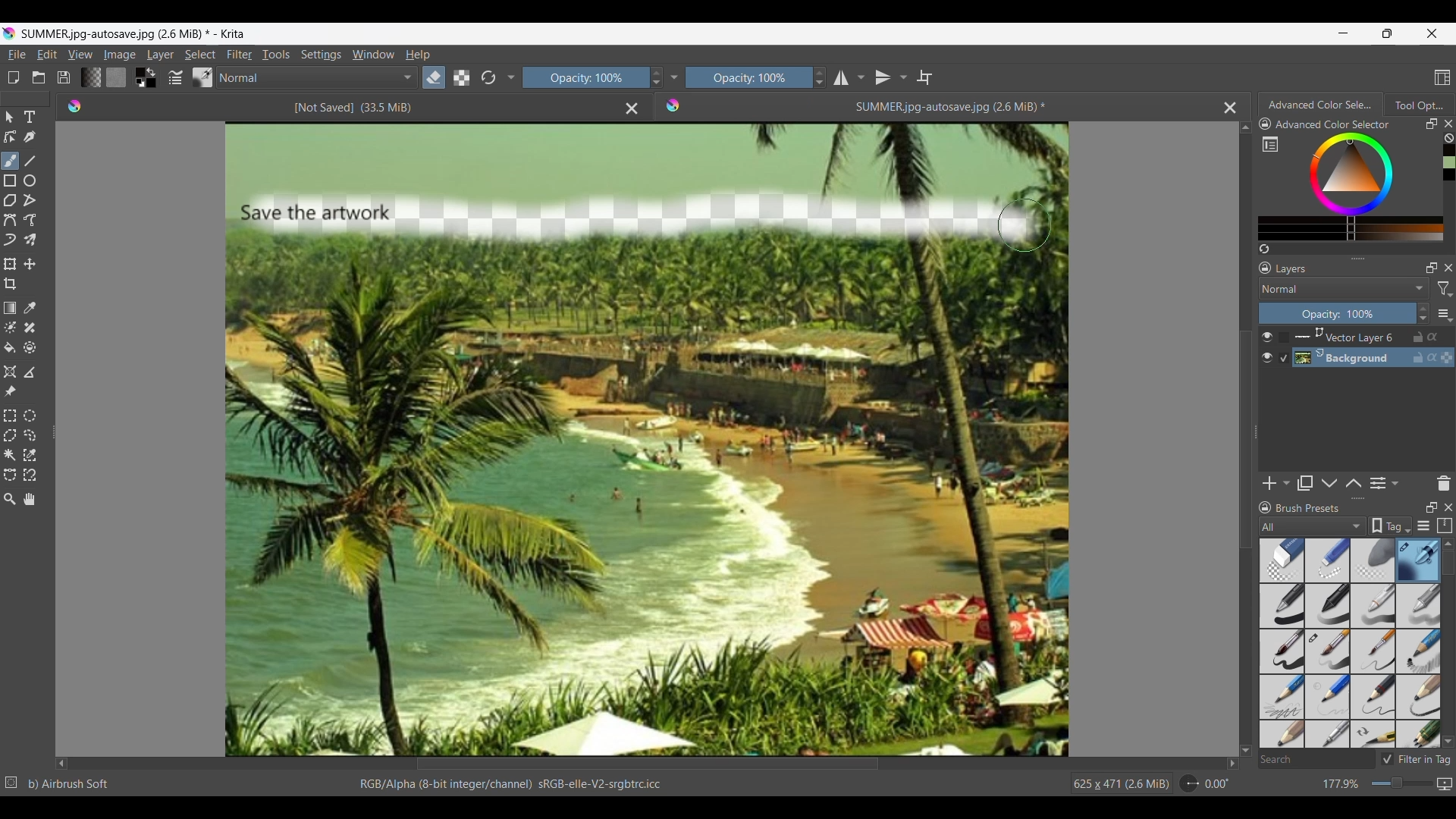 The height and width of the screenshot is (819, 1456). I want to click on Fill patterns, so click(116, 77).